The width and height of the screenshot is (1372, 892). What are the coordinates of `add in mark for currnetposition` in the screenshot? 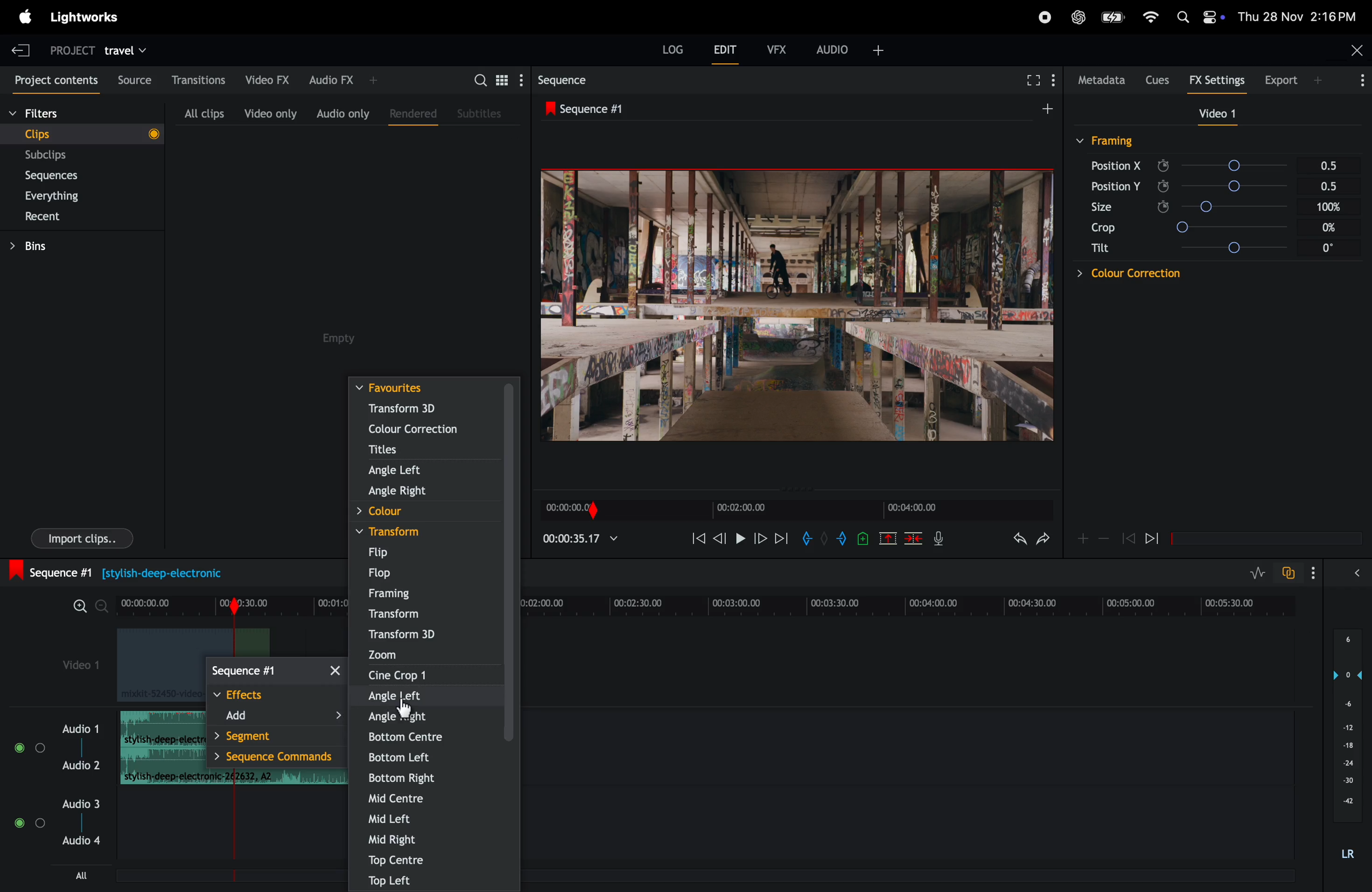 It's located at (809, 541).